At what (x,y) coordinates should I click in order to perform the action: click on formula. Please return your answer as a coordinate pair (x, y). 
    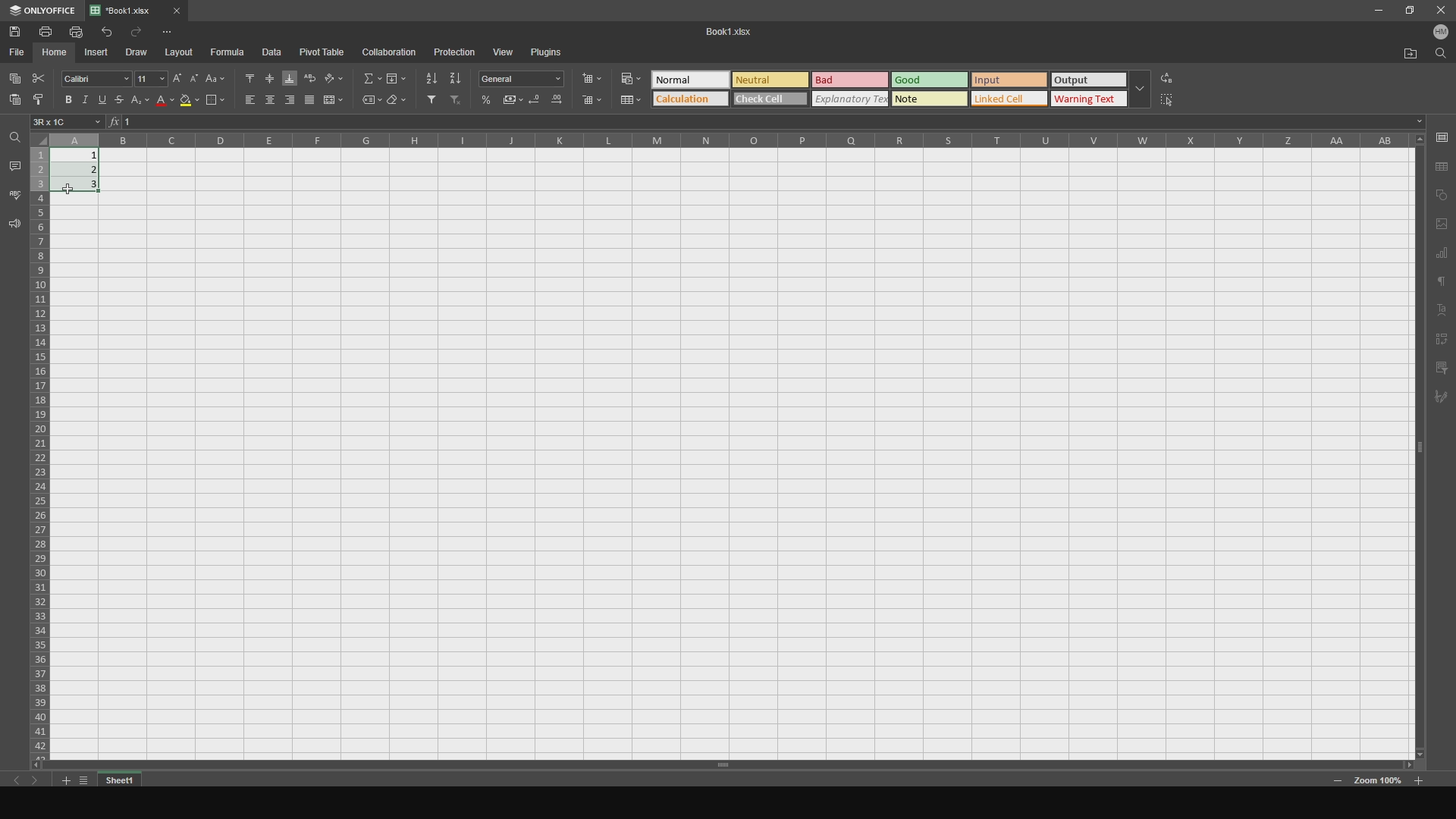
    Looking at the image, I should click on (229, 52).